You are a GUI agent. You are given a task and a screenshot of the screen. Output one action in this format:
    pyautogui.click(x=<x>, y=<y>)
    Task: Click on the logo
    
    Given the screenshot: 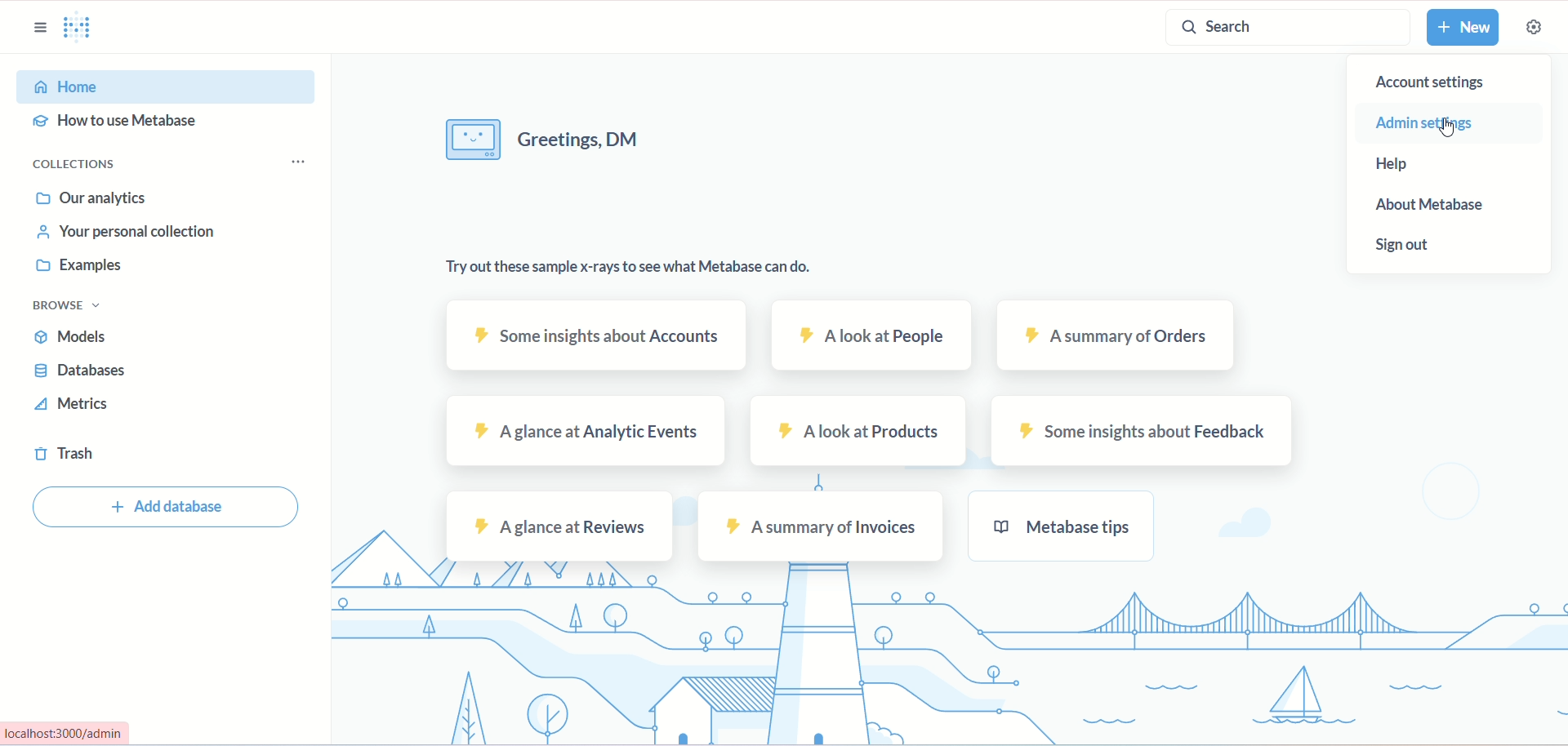 What is the action you would take?
    pyautogui.click(x=78, y=29)
    